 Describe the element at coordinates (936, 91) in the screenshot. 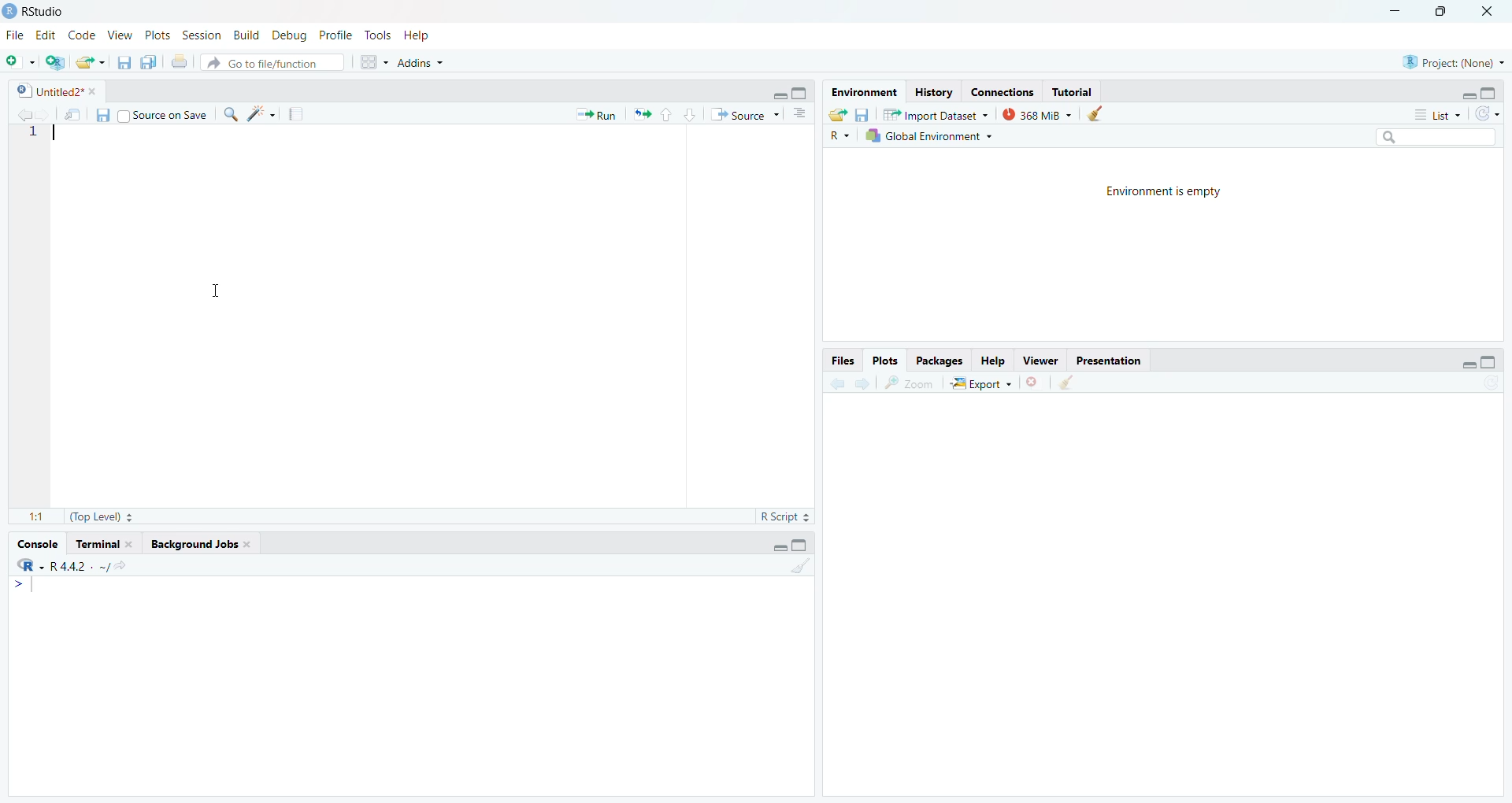

I see `History` at that location.